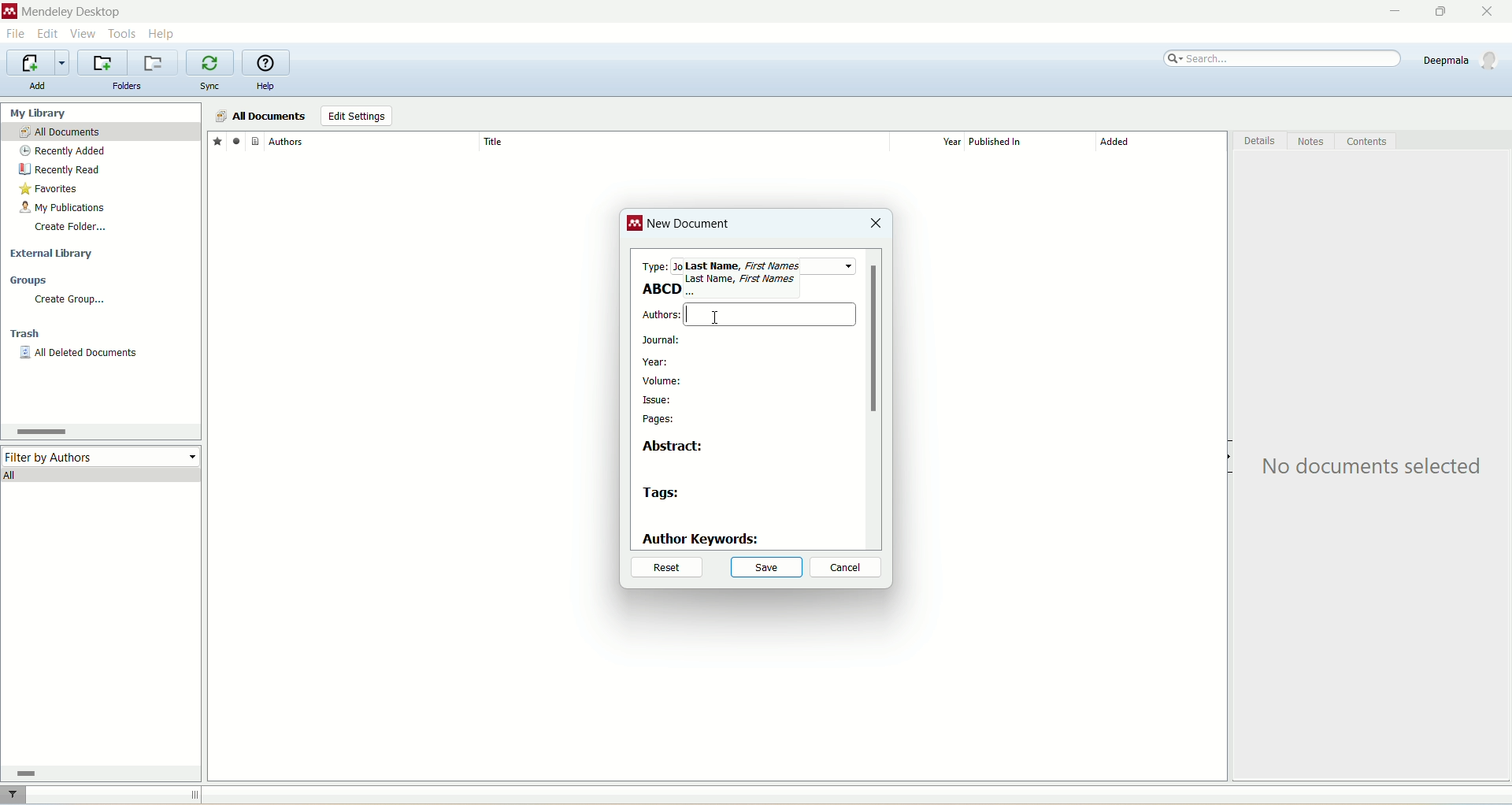  Describe the element at coordinates (767, 566) in the screenshot. I see `save` at that location.